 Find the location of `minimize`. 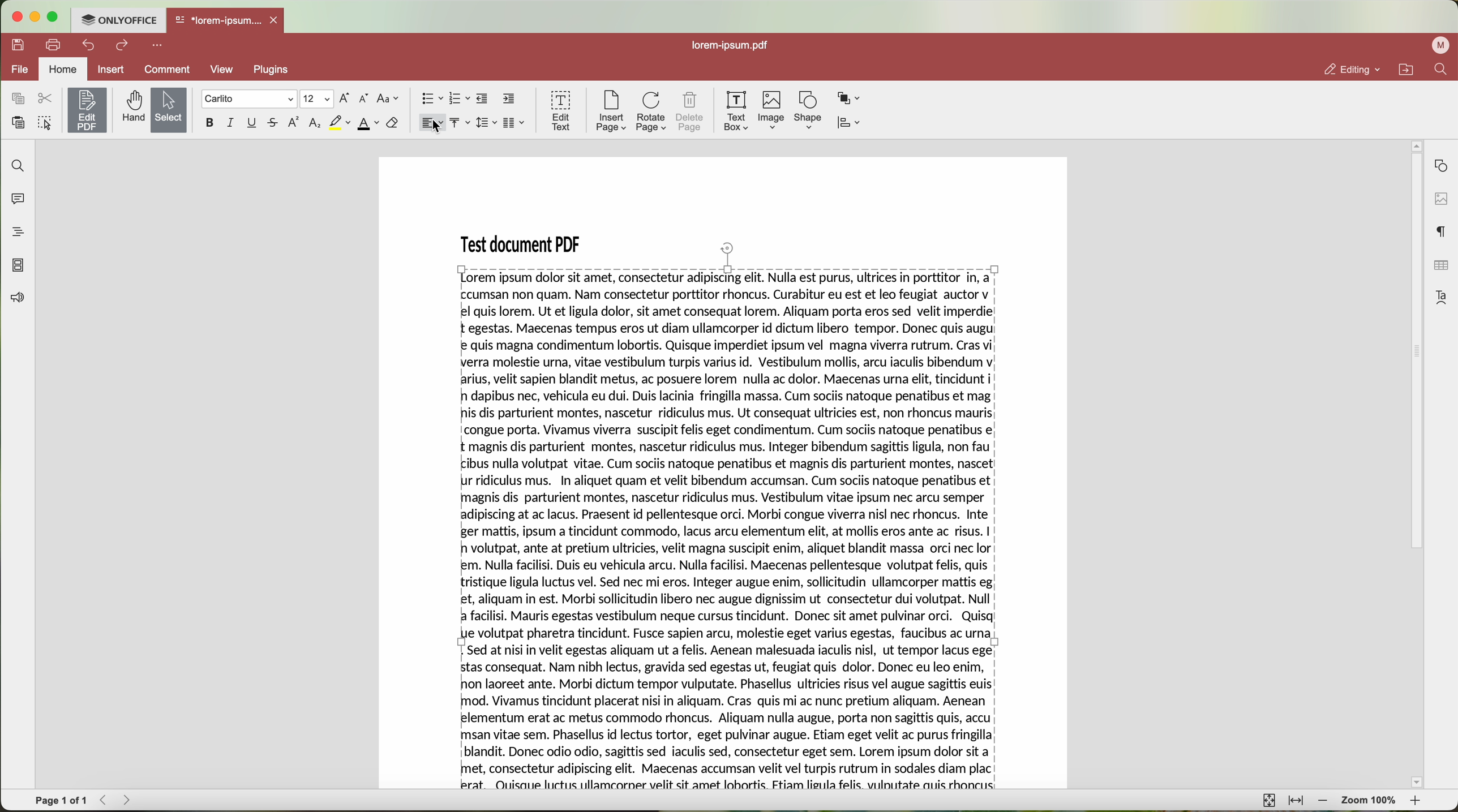

minimize is located at coordinates (37, 15).